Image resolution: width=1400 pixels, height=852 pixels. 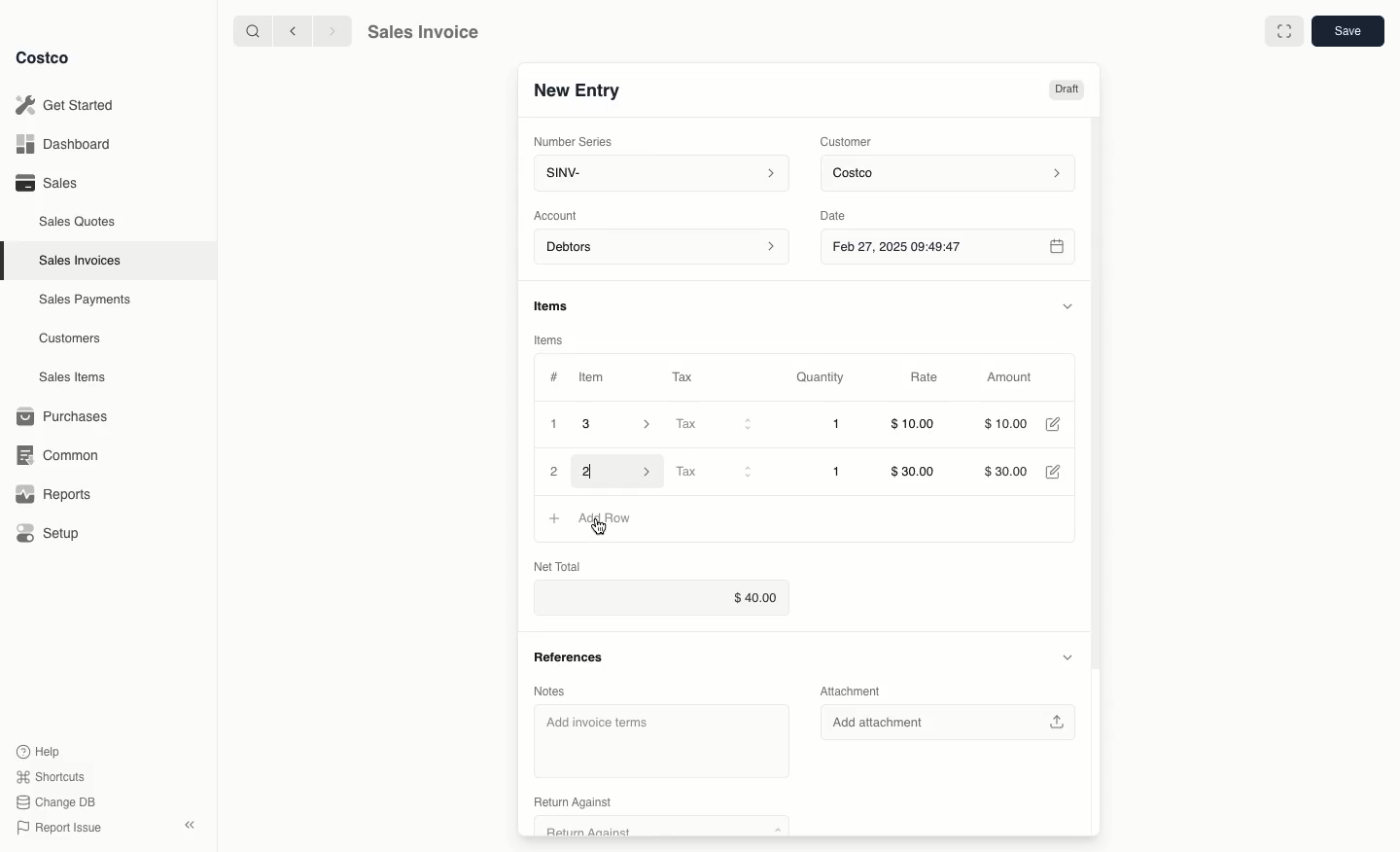 I want to click on Dashboard, so click(x=68, y=145).